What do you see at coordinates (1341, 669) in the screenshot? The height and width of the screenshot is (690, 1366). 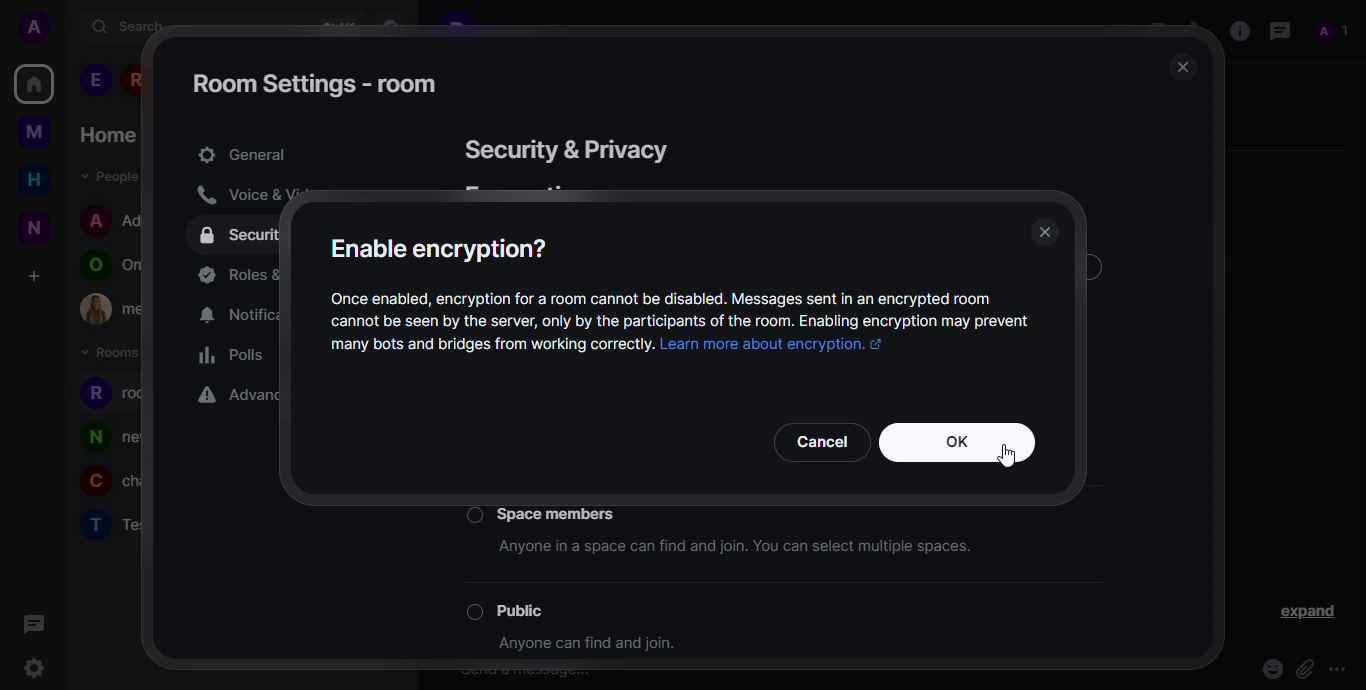 I see `more` at bounding box center [1341, 669].